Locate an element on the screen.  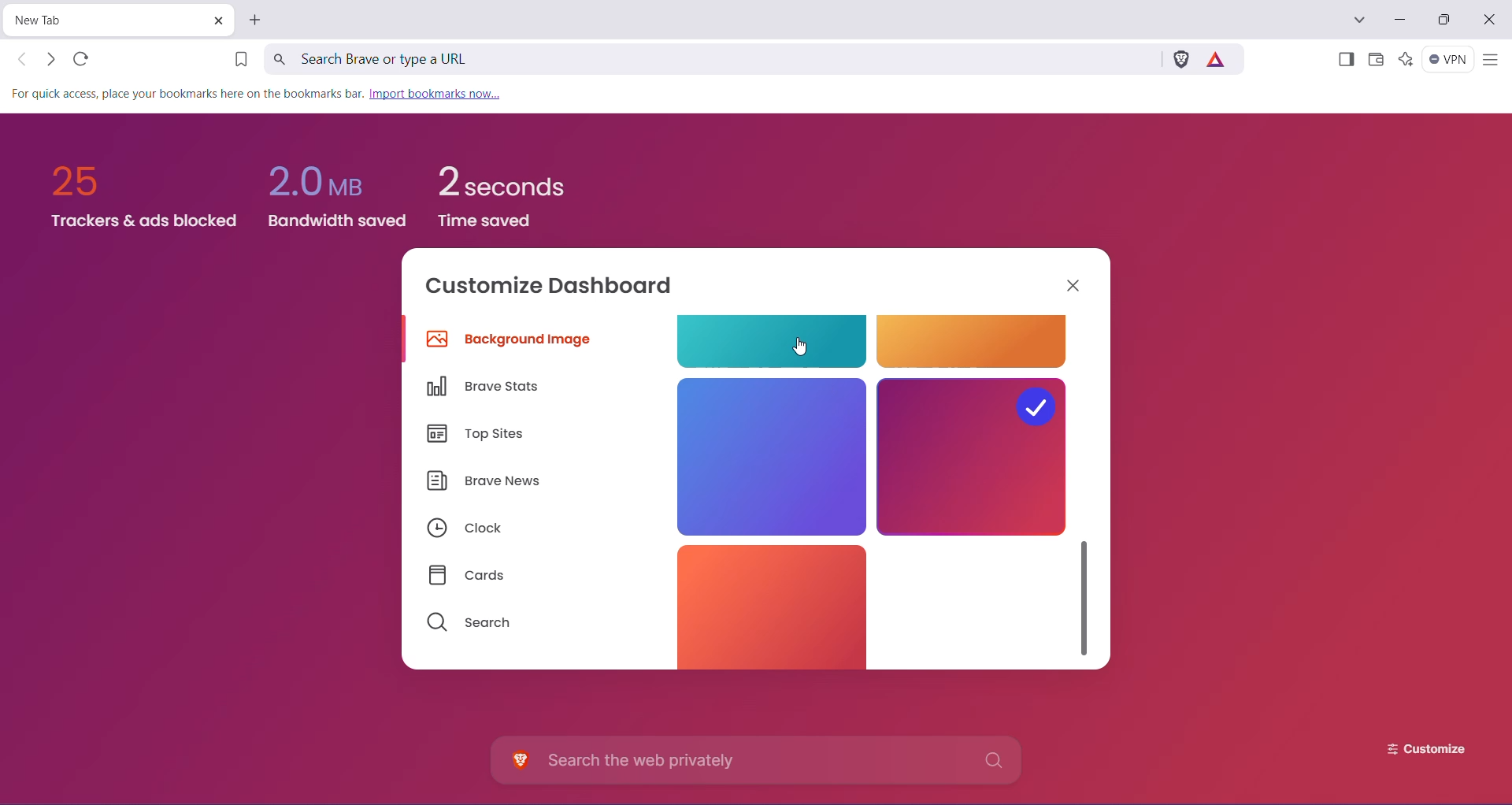
Search is located at coordinates (469, 623).